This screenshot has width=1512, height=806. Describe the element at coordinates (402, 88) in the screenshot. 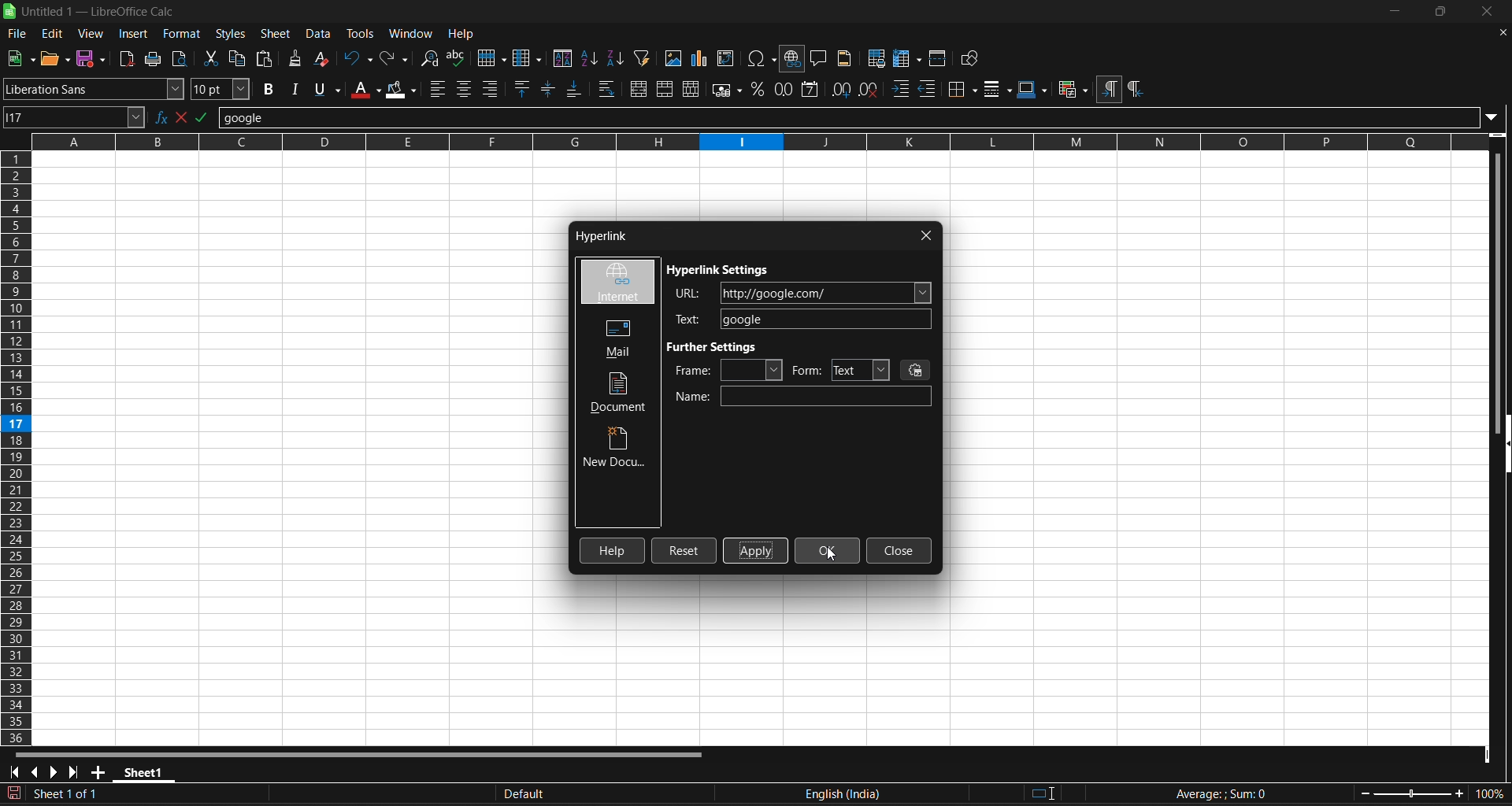

I see `background color` at that location.